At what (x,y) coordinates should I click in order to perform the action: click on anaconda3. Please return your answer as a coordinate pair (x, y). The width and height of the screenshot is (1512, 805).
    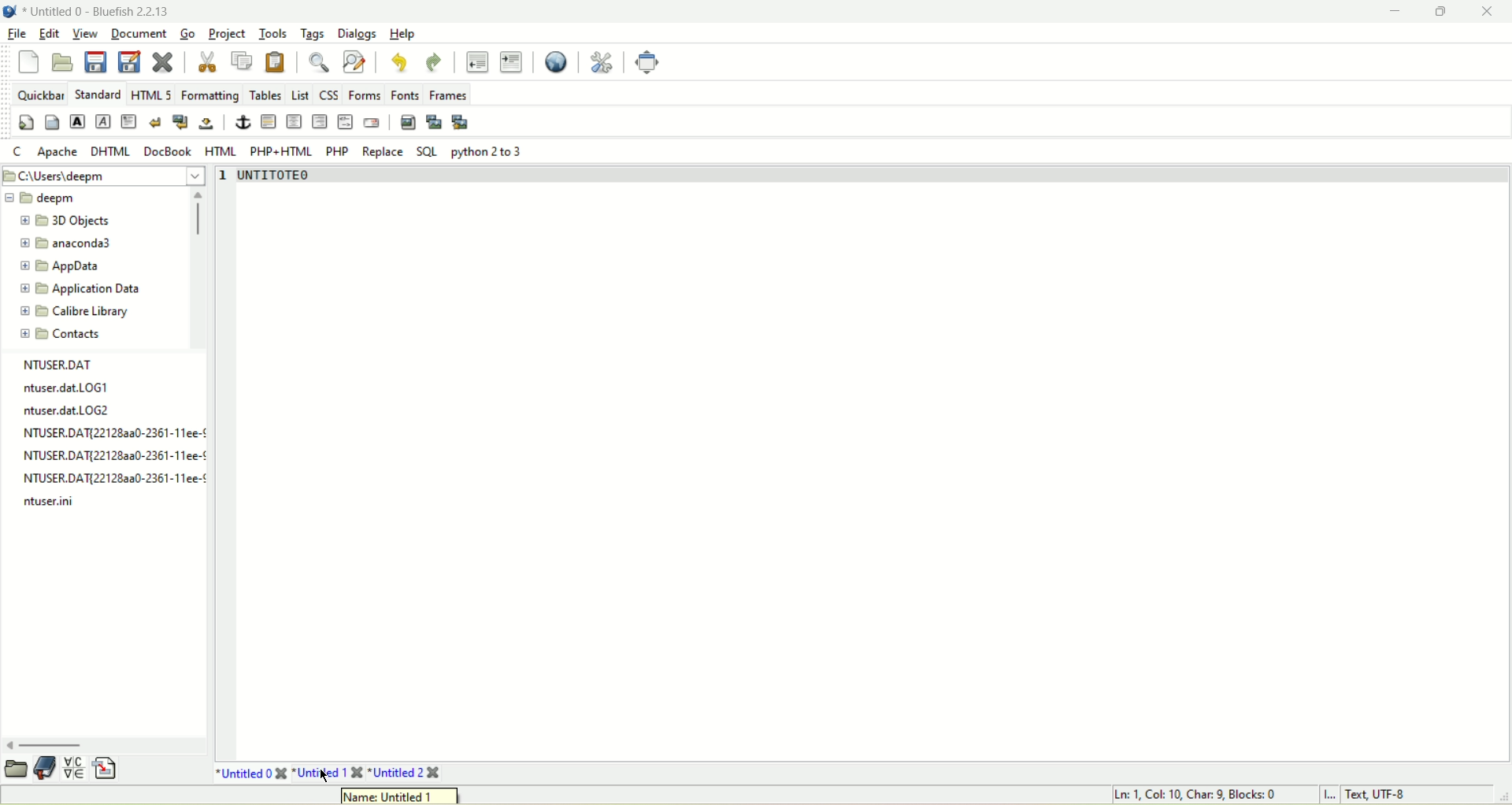
    Looking at the image, I should click on (65, 242).